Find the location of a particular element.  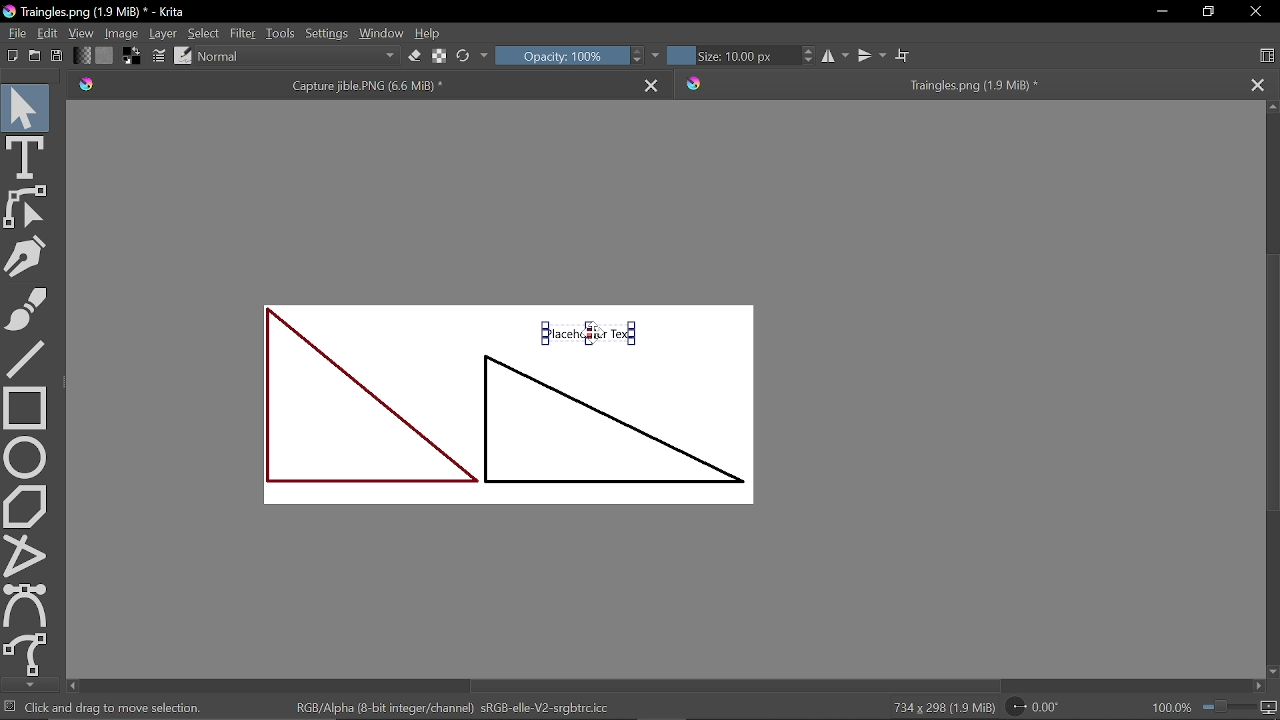

Window is located at coordinates (382, 32).